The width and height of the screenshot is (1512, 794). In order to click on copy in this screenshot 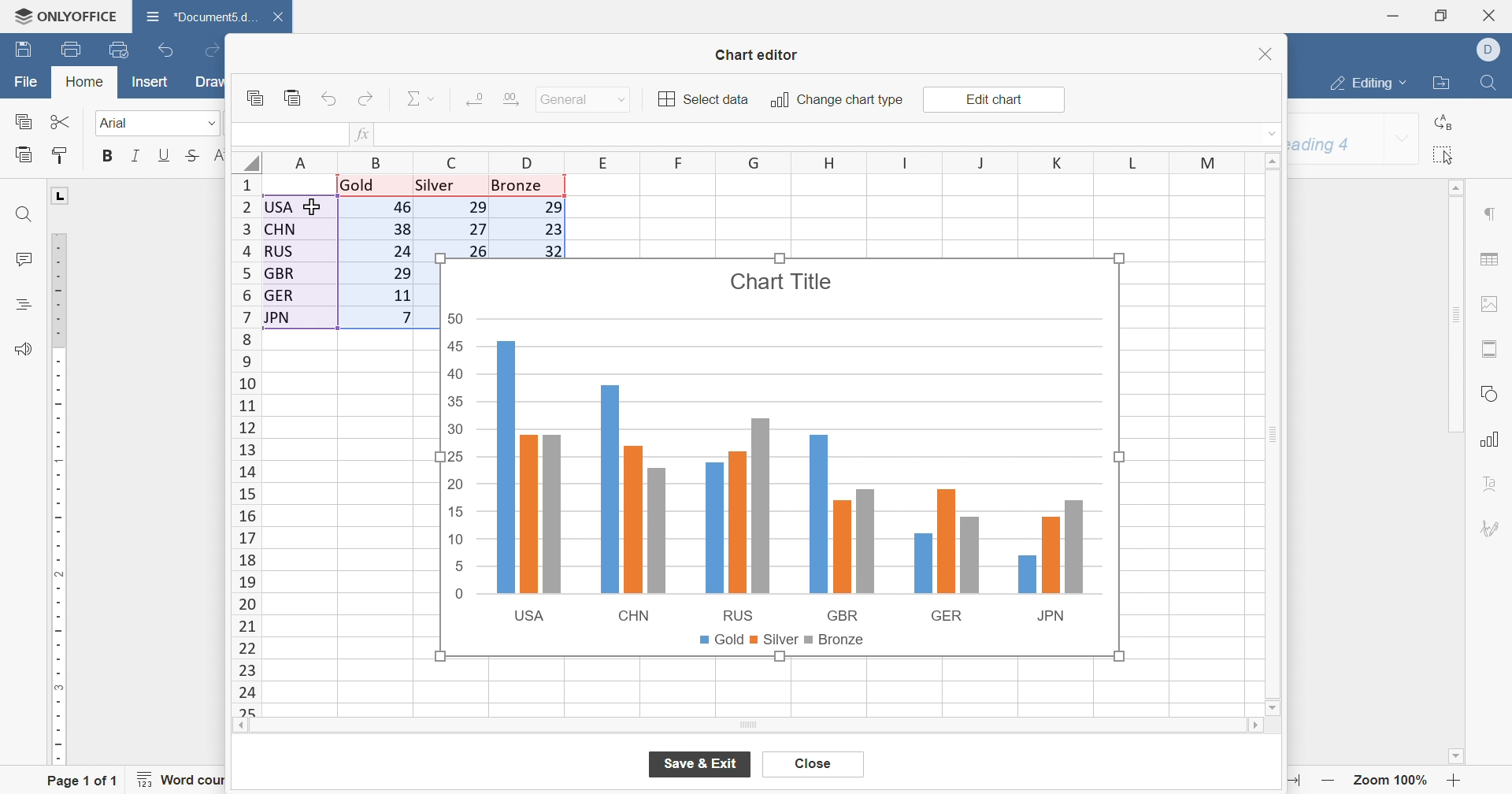, I will do `click(22, 121)`.